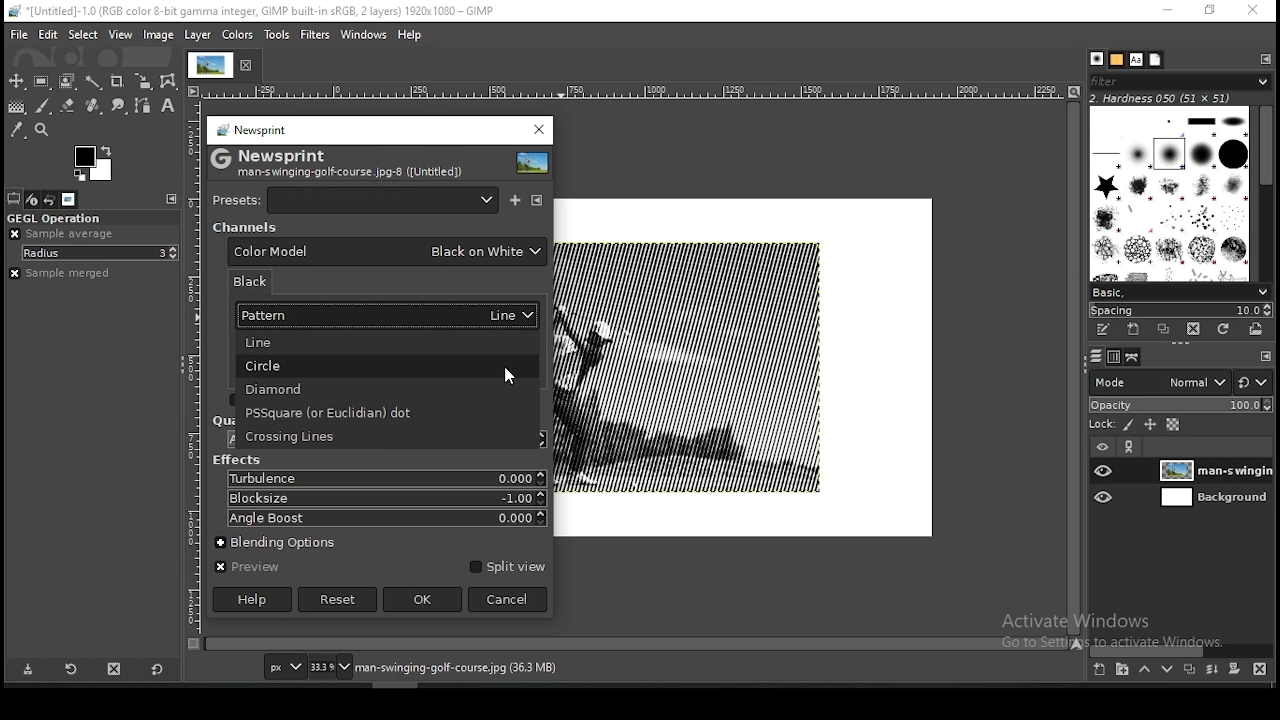 Image resolution: width=1280 pixels, height=720 pixels. Describe the element at coordinates (1096, 358) in the screenshot. I see `layers` at that location.